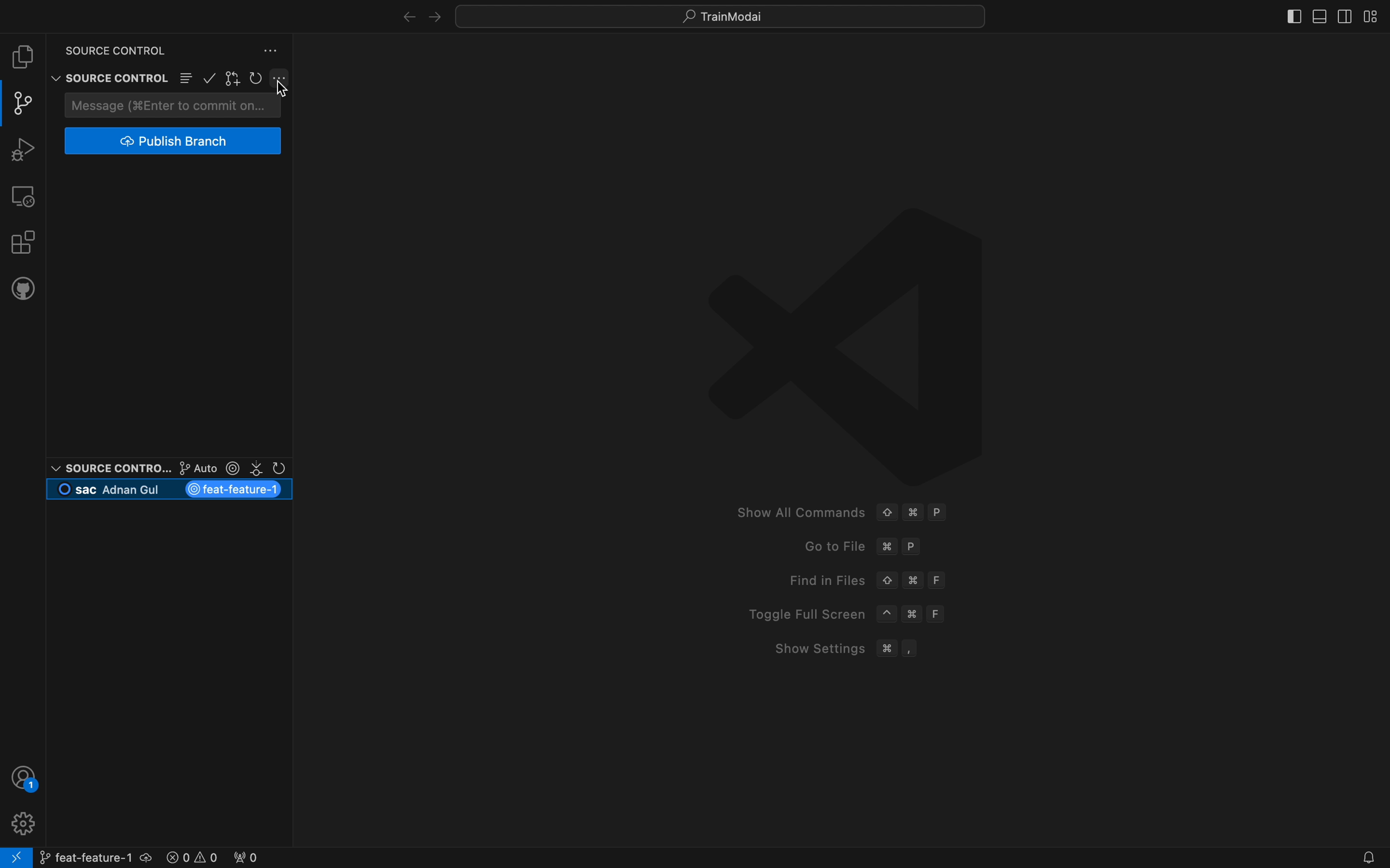 Image resolution: width=1390 pixels, height=868 pixels. What do you see at coordinates (272, 51) in the screenshot?
I see `version control settings` at bounding box center [272, 51].